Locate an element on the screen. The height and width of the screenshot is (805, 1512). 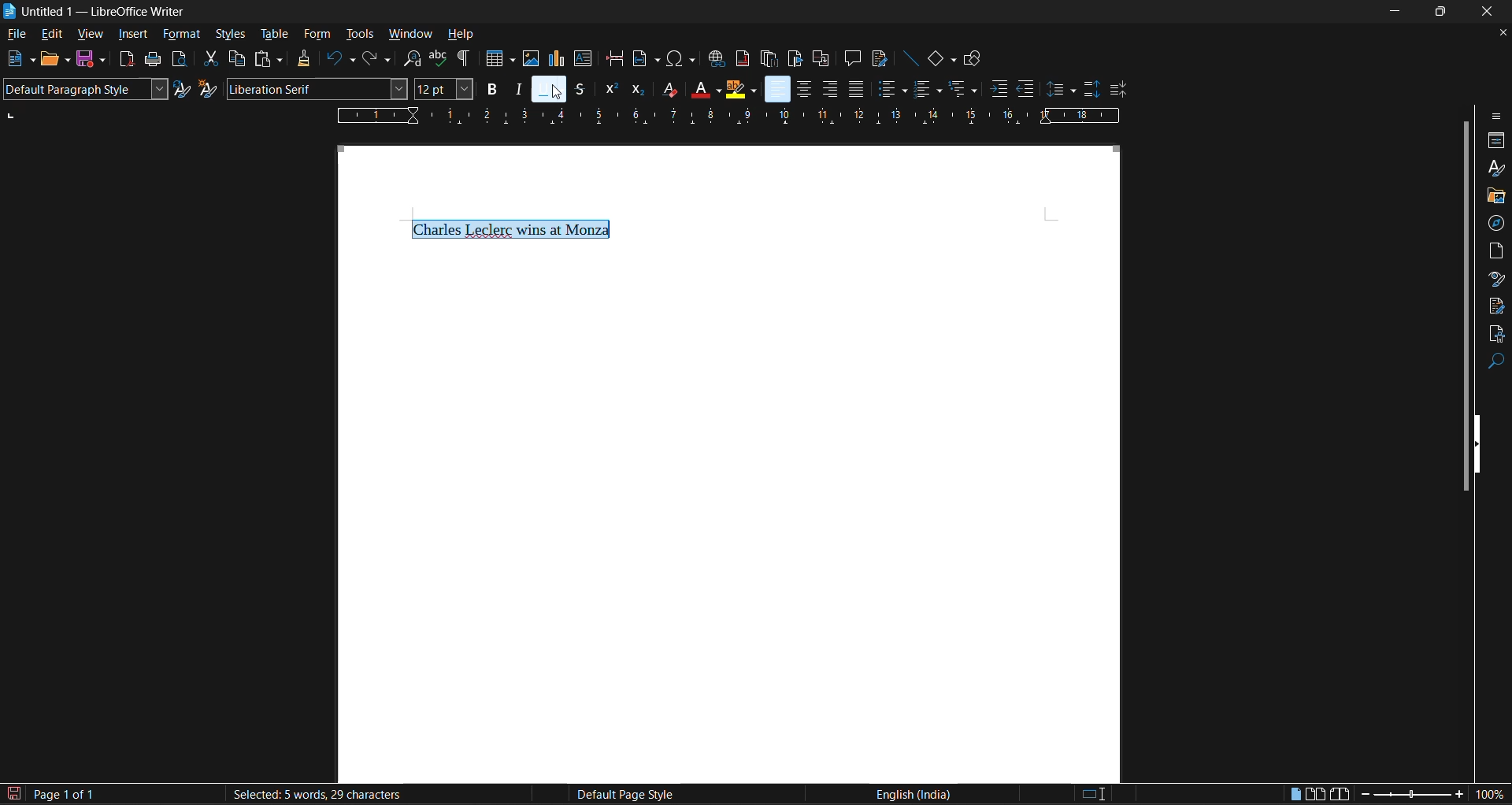
insert text box is located at coordinates (583, 58).